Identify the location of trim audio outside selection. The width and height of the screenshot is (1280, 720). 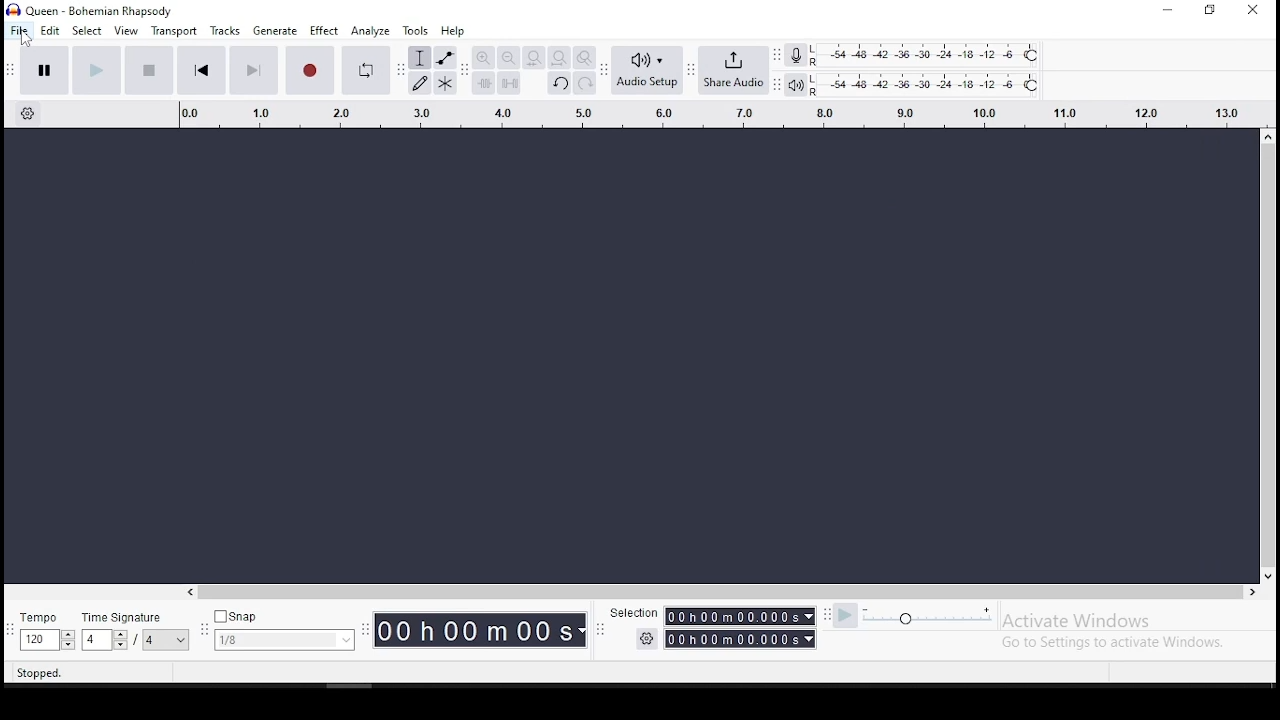
(483, 84).